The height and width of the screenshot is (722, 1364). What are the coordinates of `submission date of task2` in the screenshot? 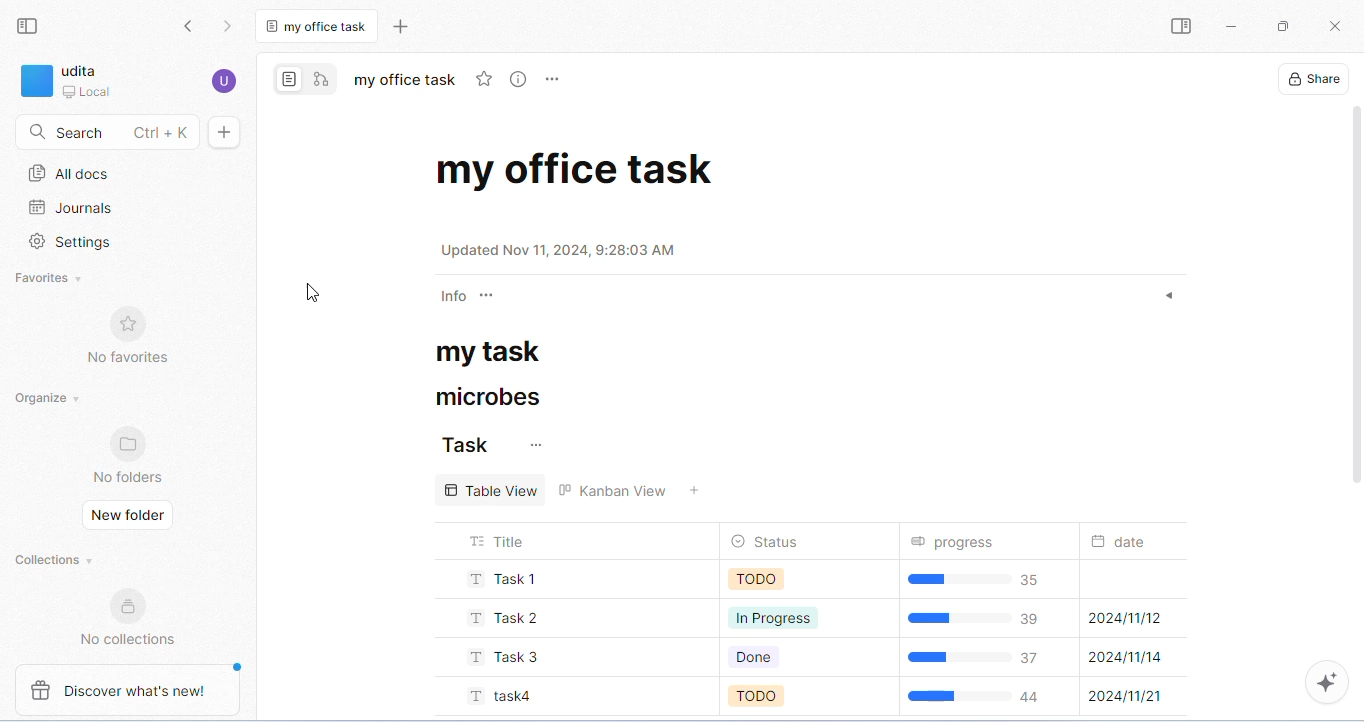 It's located at (1125, 618).